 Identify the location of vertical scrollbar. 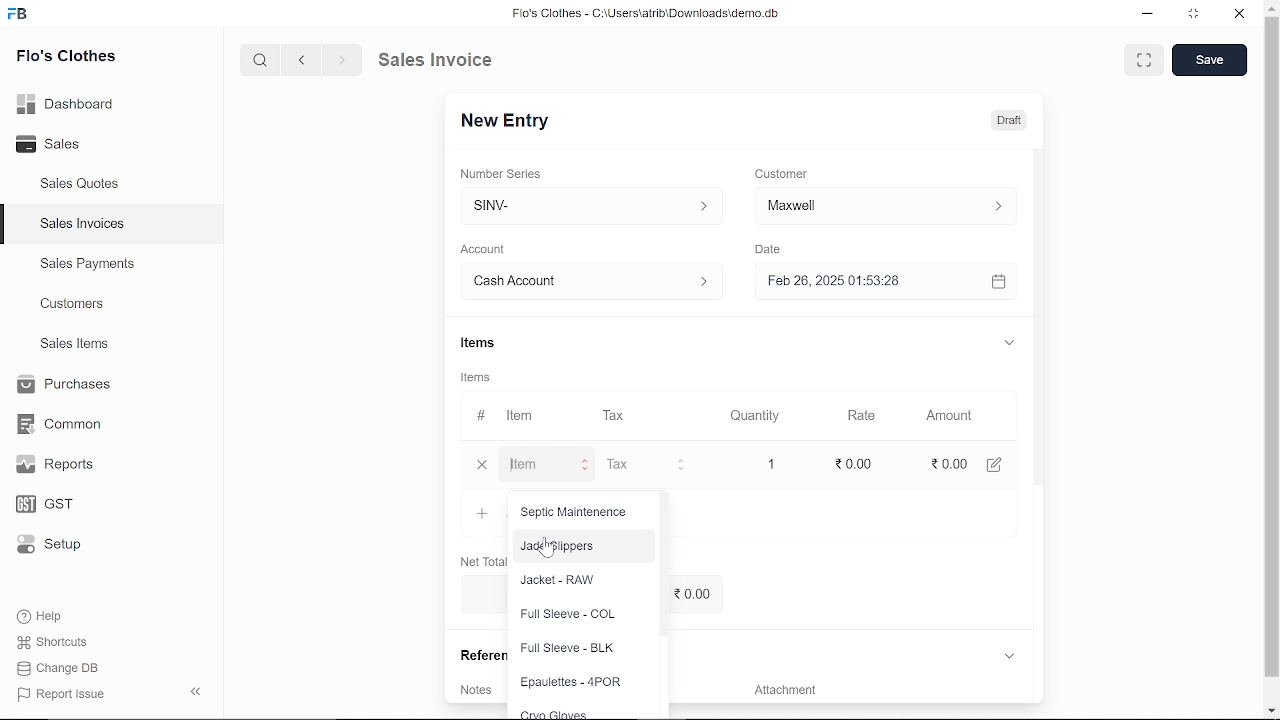
(1048, 329).